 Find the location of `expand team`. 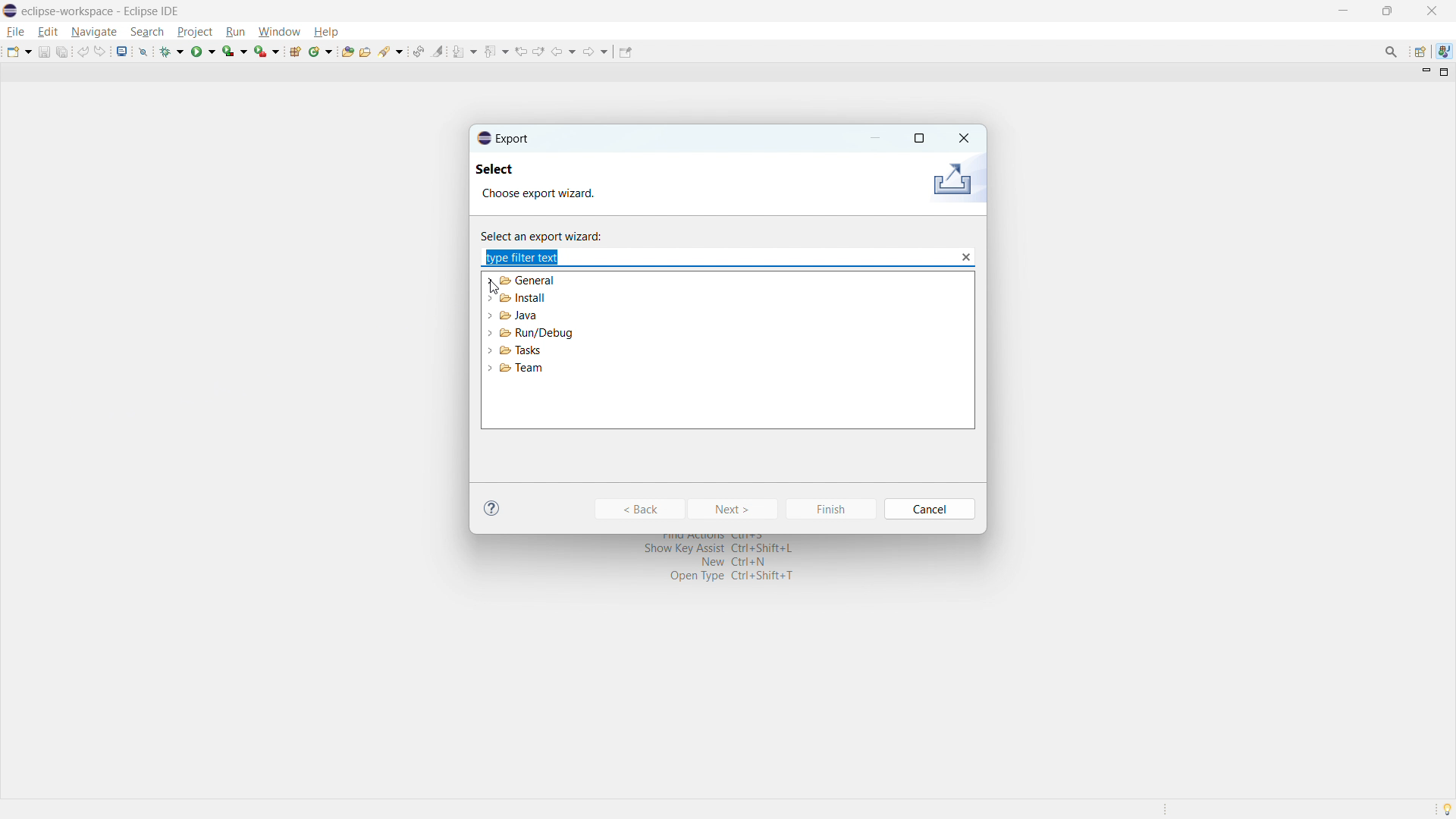

expand team is located at coordinates (490, 366).